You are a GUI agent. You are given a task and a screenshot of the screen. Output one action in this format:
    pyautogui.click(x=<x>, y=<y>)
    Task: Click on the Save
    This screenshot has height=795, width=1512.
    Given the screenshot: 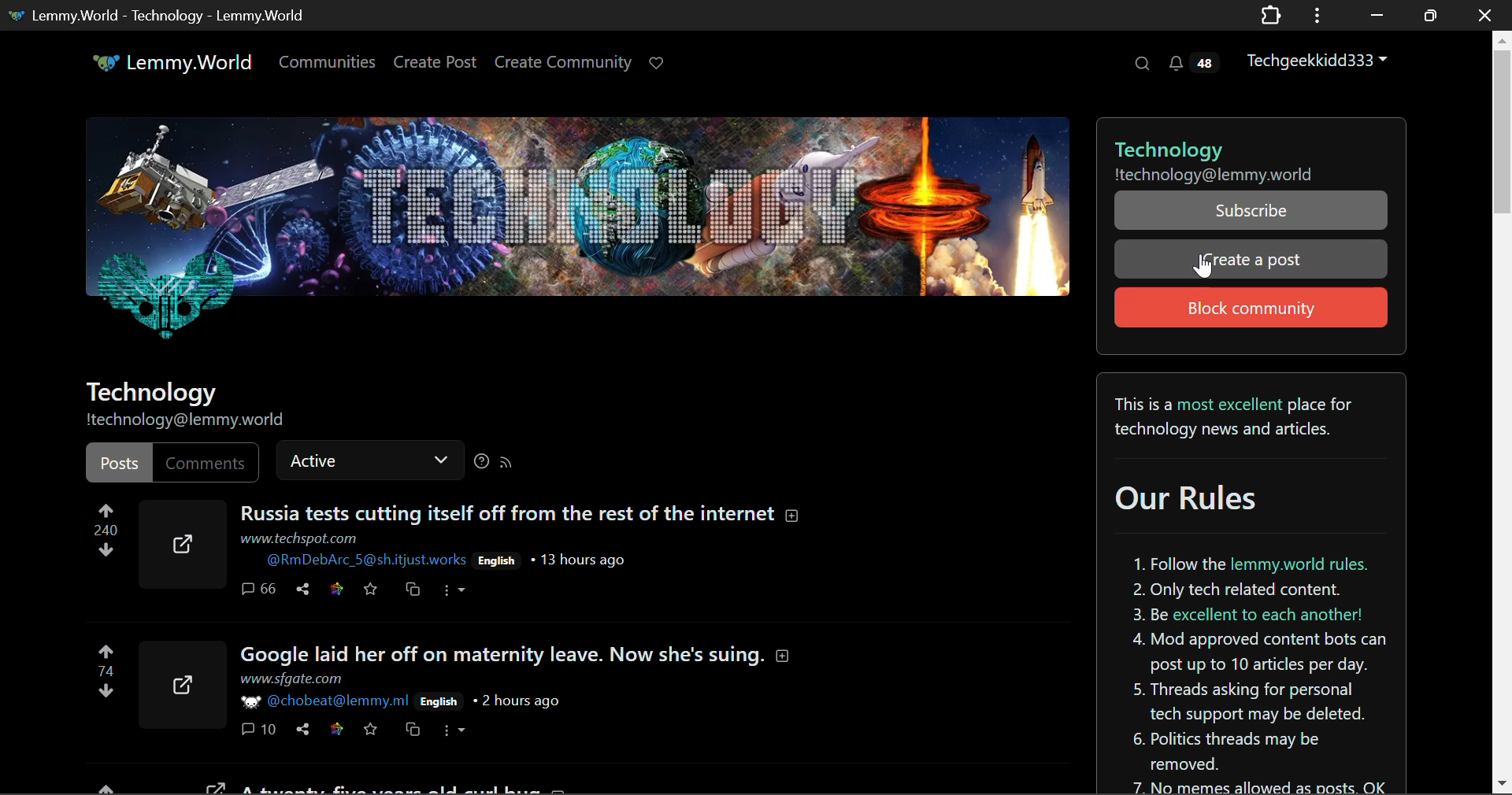 What is the action you would take?
    pyautogui.click(x=370, y=586)
    